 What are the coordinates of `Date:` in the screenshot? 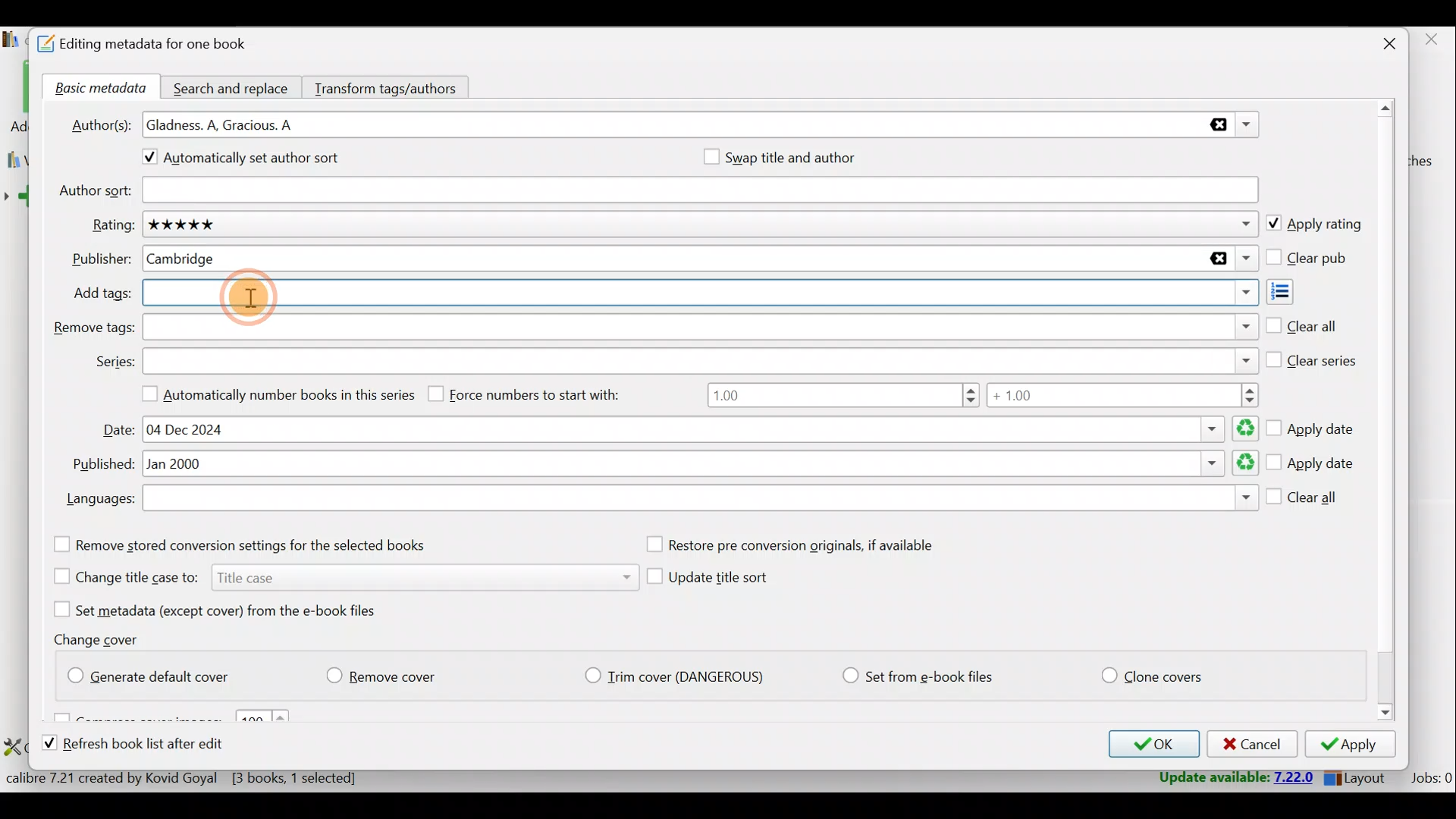 It's located at (119, 430).